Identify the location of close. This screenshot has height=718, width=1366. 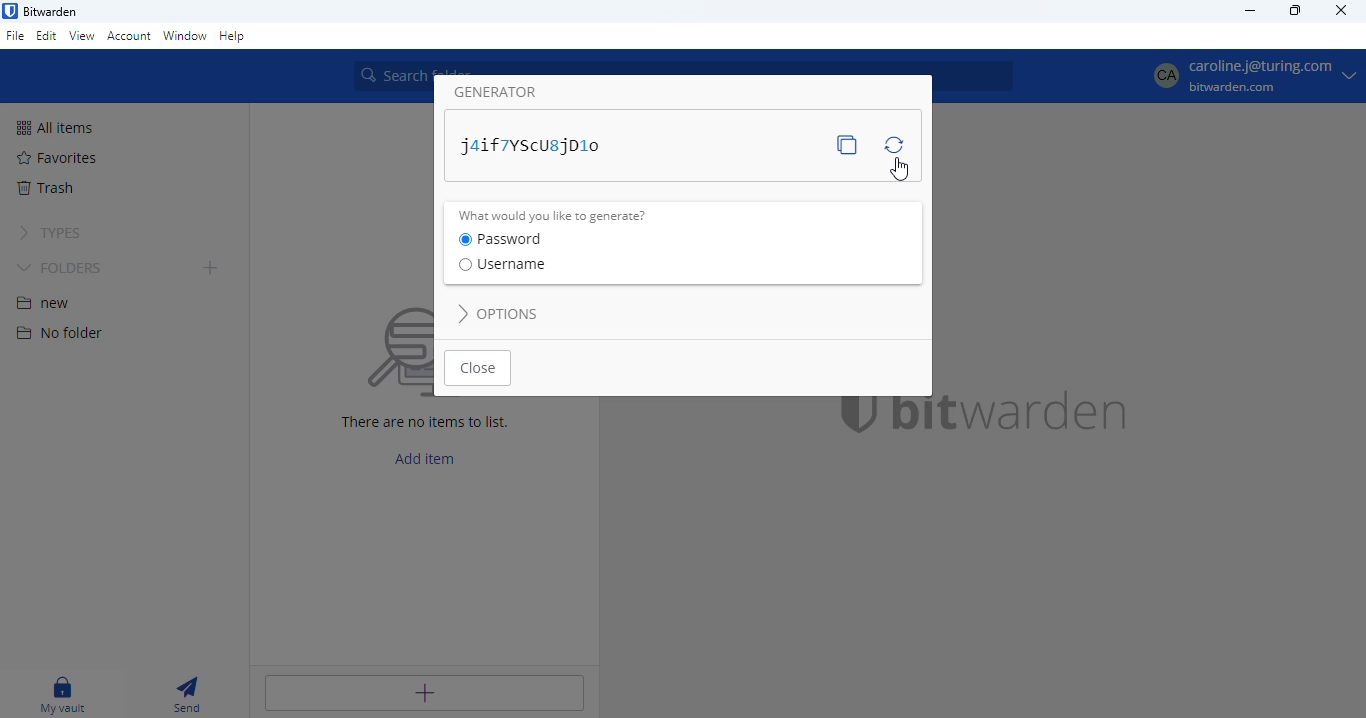
(1342, 9).